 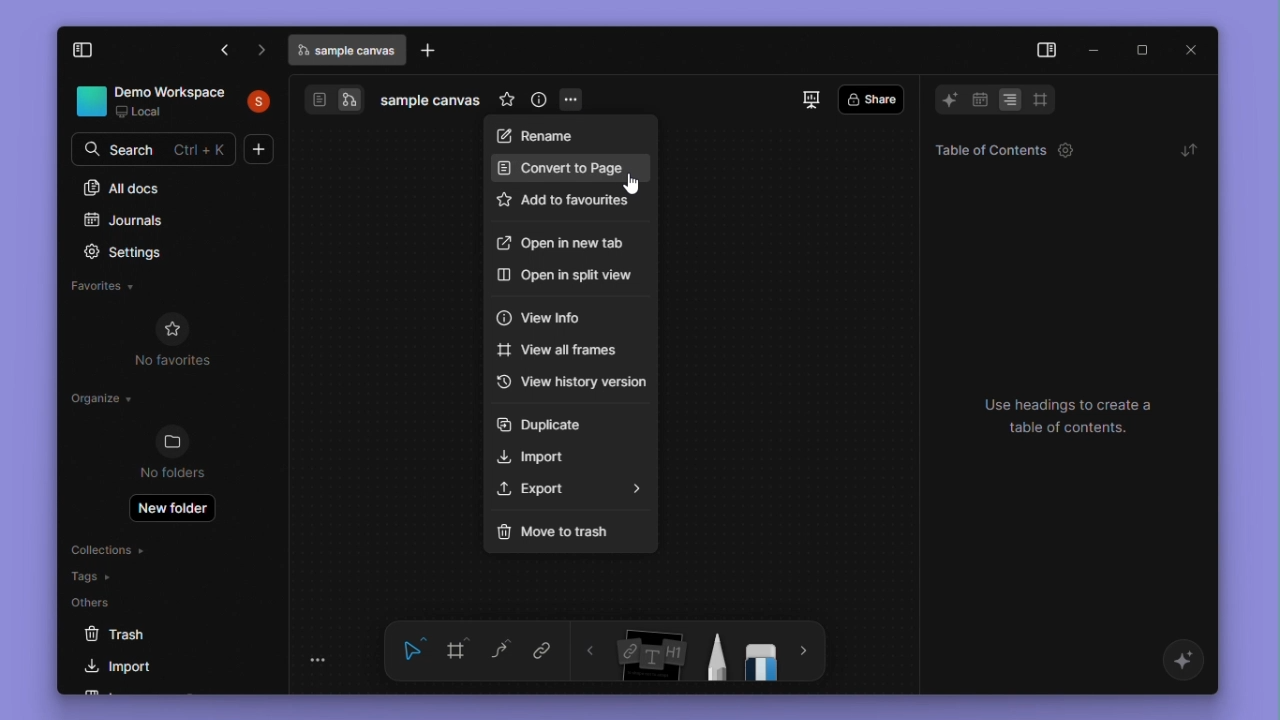 I want to click on Collapse side pane, so click(x=1045, y=51).